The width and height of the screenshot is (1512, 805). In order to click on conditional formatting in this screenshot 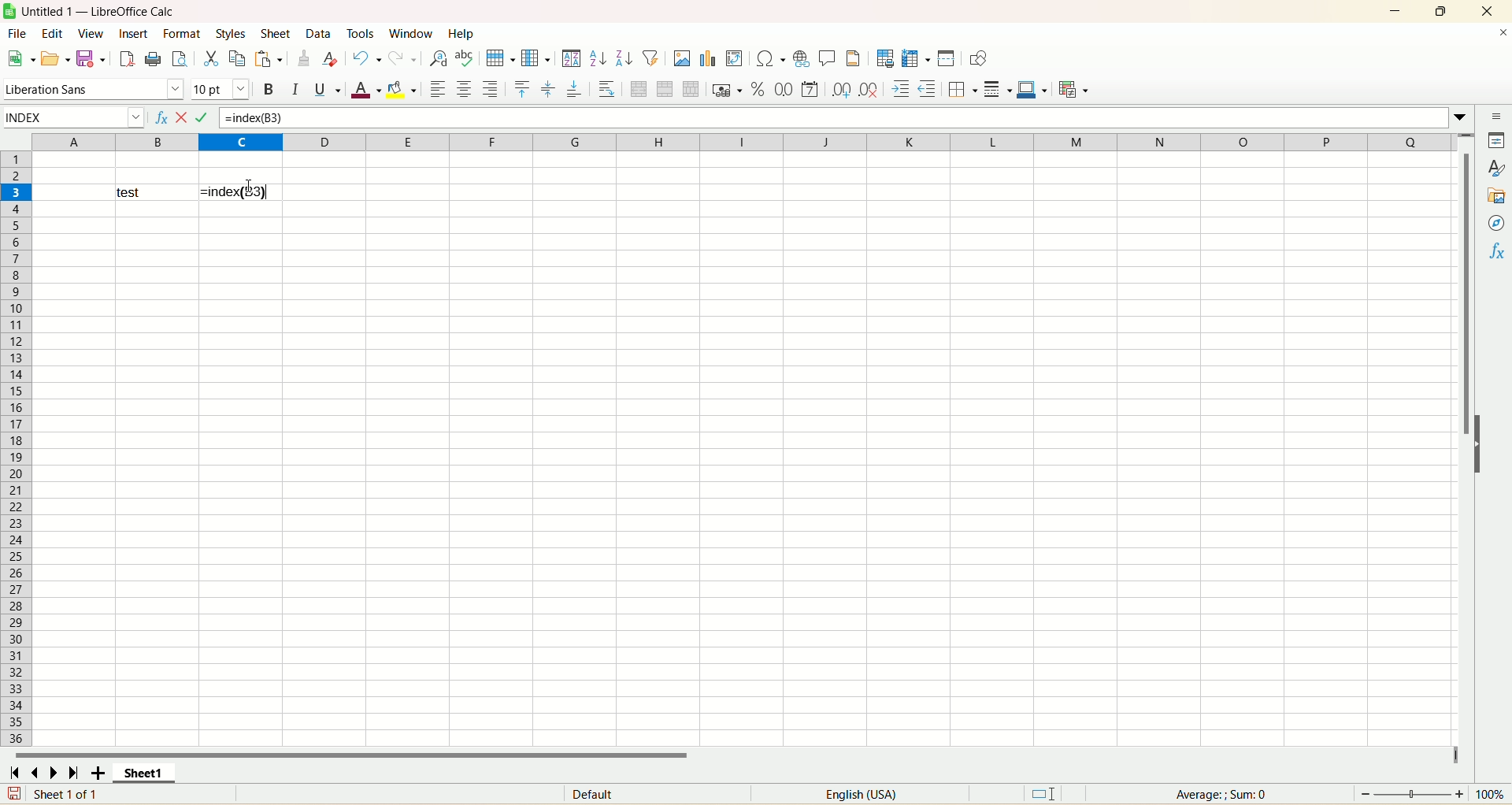, I will do `click(1074, 89)`.